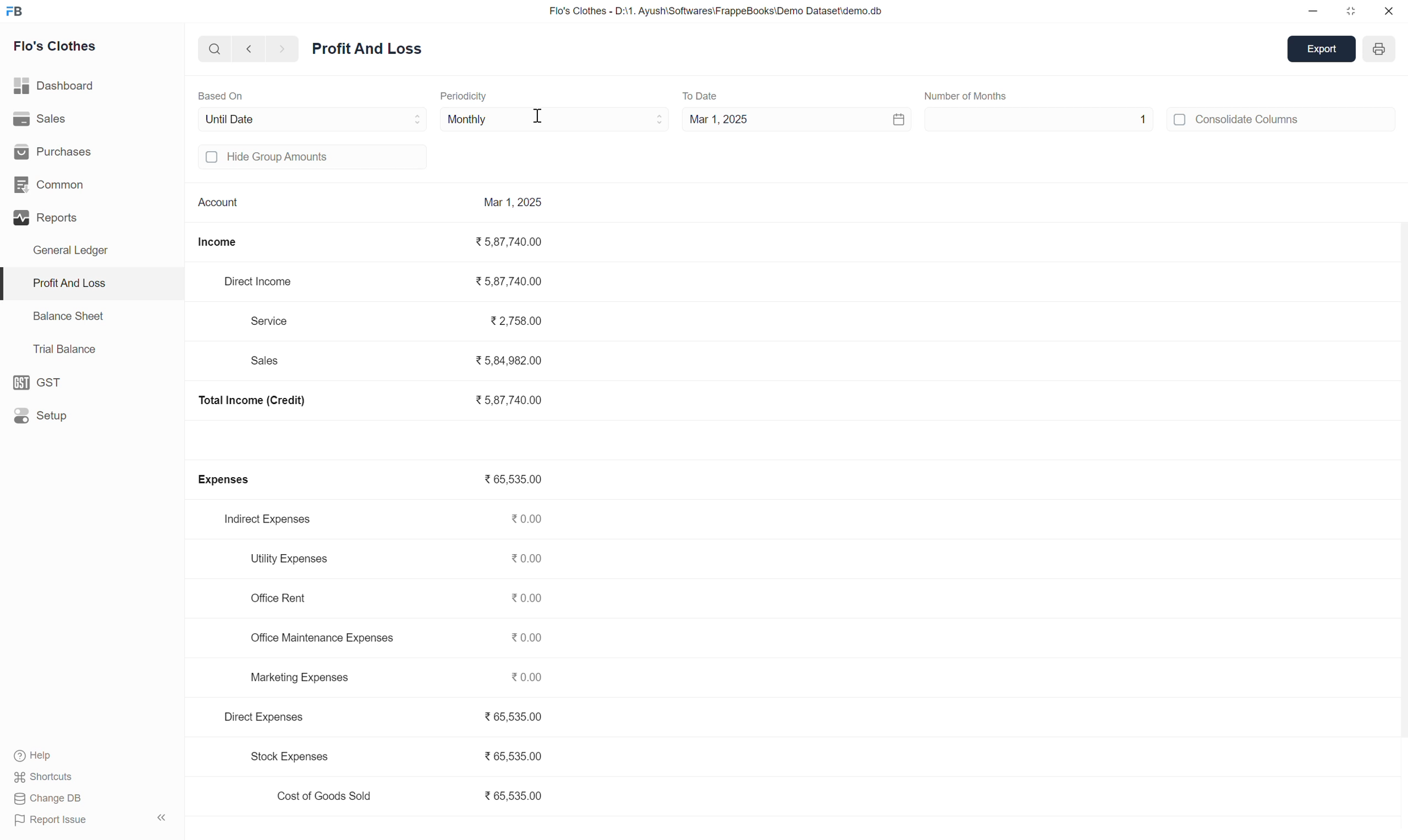  I want to click on Reports, so click(46, 222).